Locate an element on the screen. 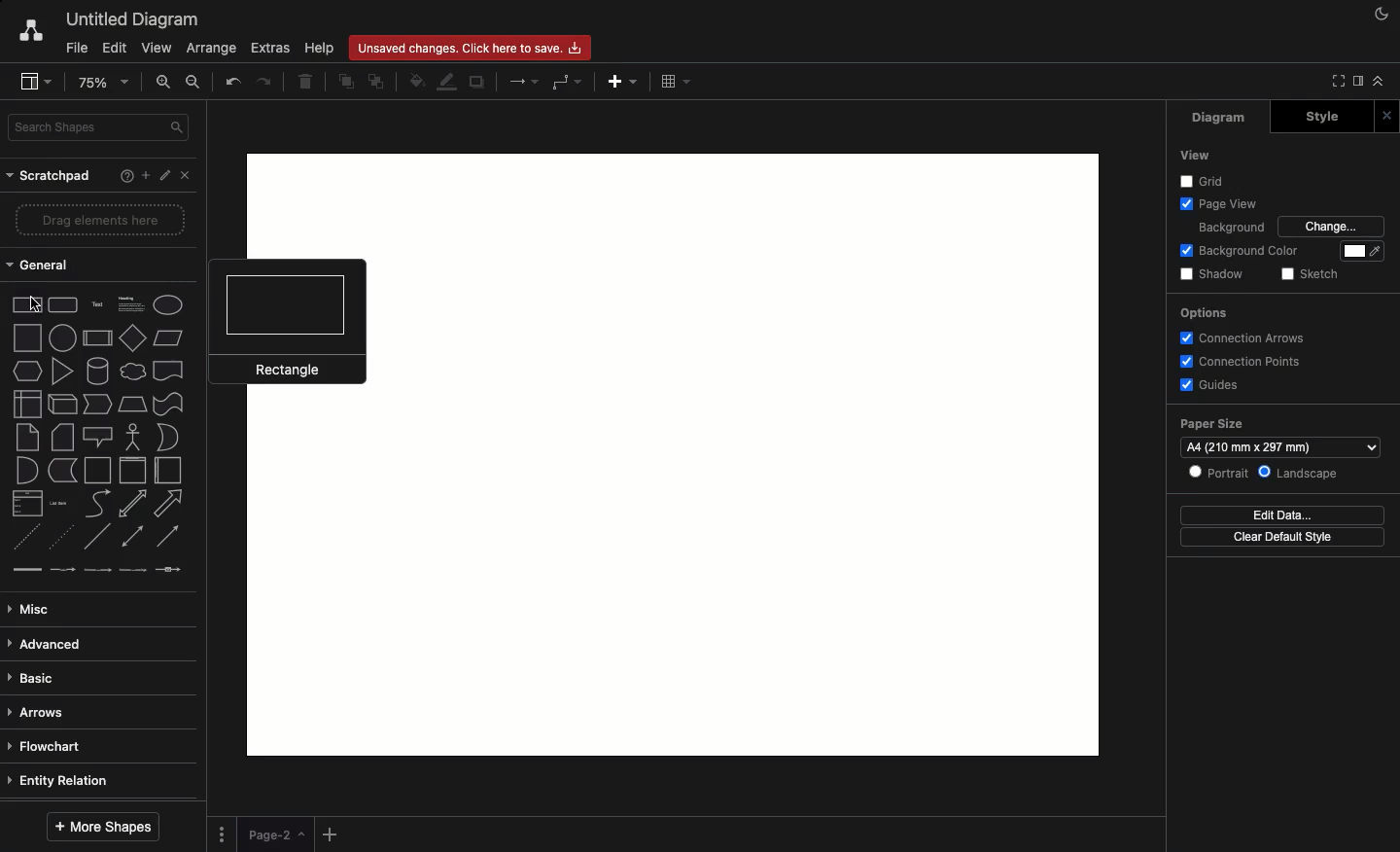 The image size is (1400, 852). Text is located at coordinates (98, 305).